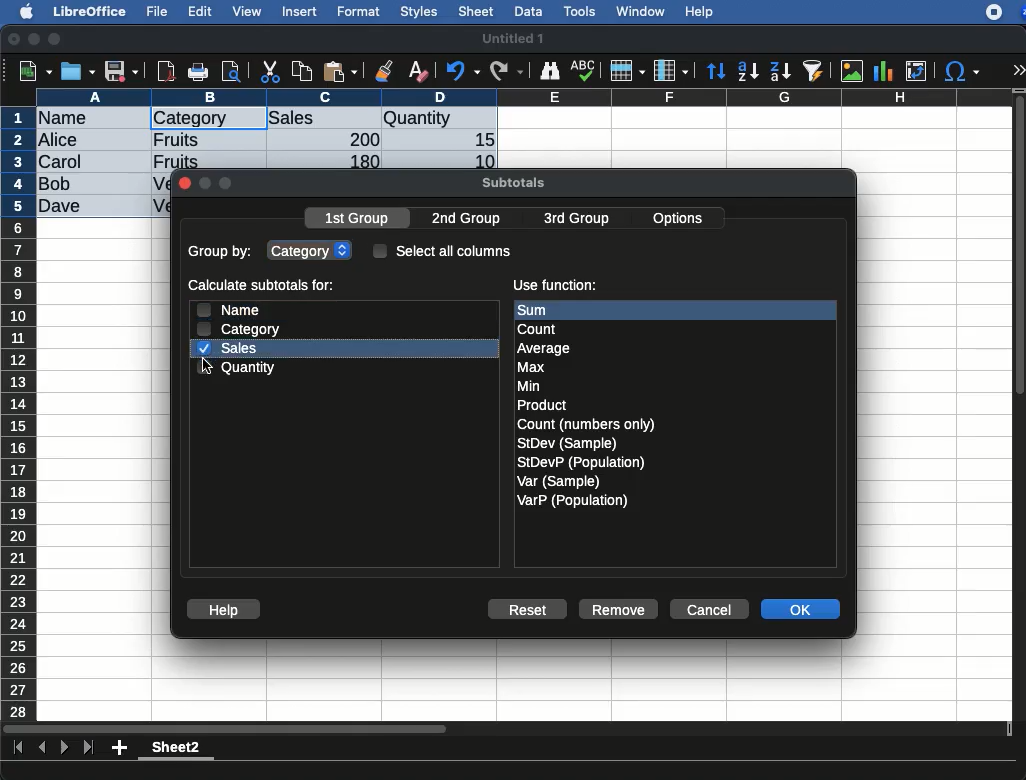  What do you see at coordinates (325, 119) in the screenshot?
I see `sales` at bounding box center [325, 119].